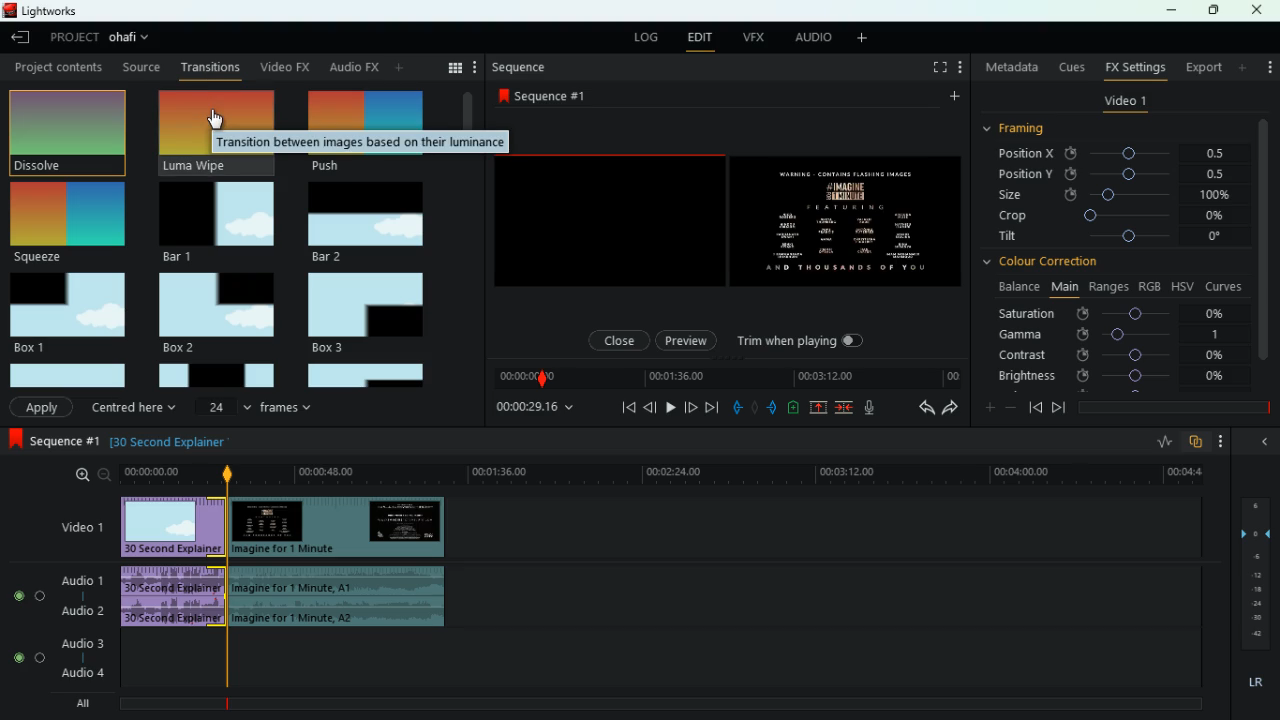 This screenshot has height=720, width=1280. What do you see at coordinates (218, 223) in the screenshot?
I see `bar 1` at bounding box center [218, 223].